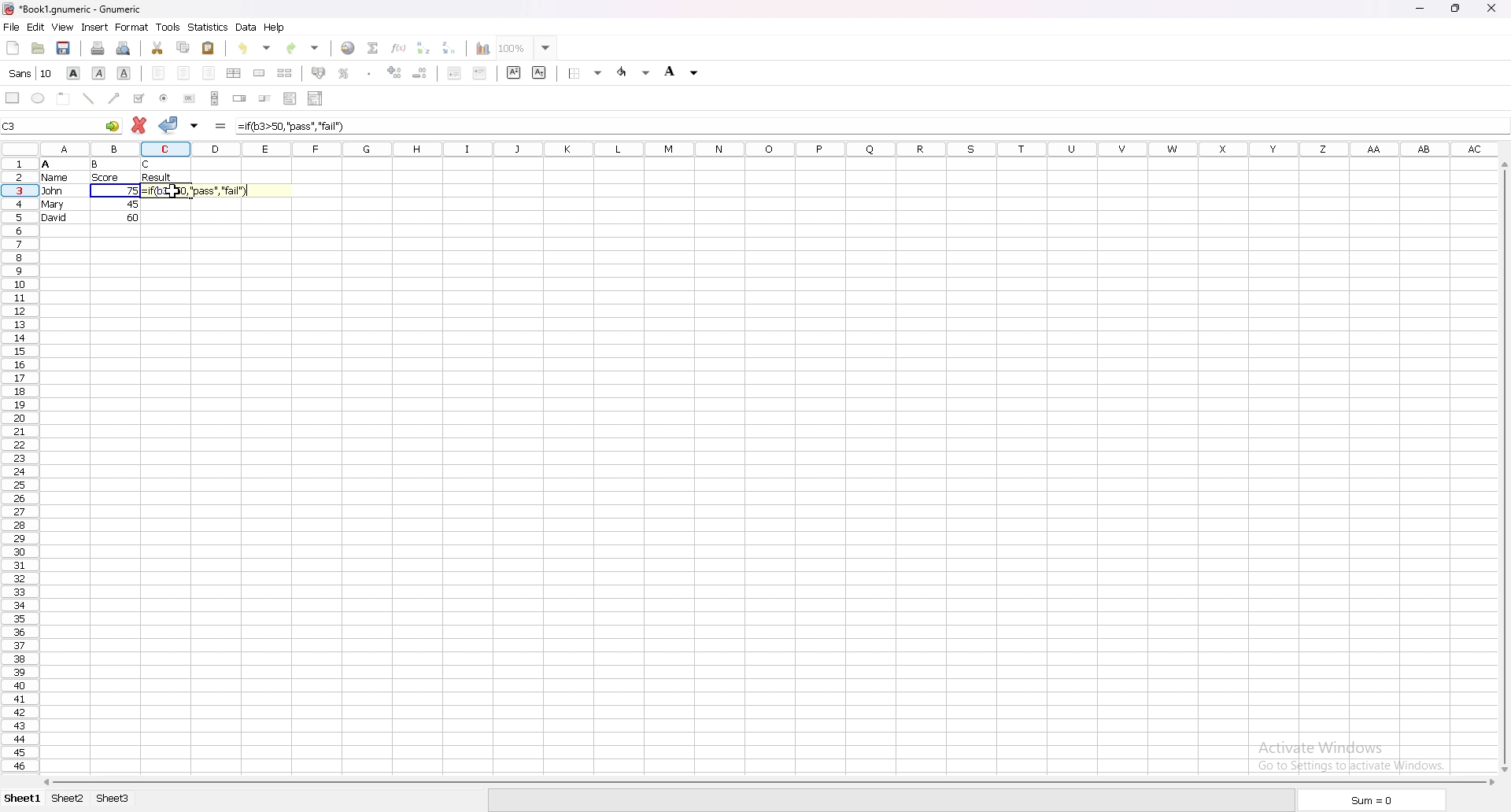 The image size is (1511, 812). Describe the element at coordinates (31, 73) in the screenshot. I see `font` at that location.